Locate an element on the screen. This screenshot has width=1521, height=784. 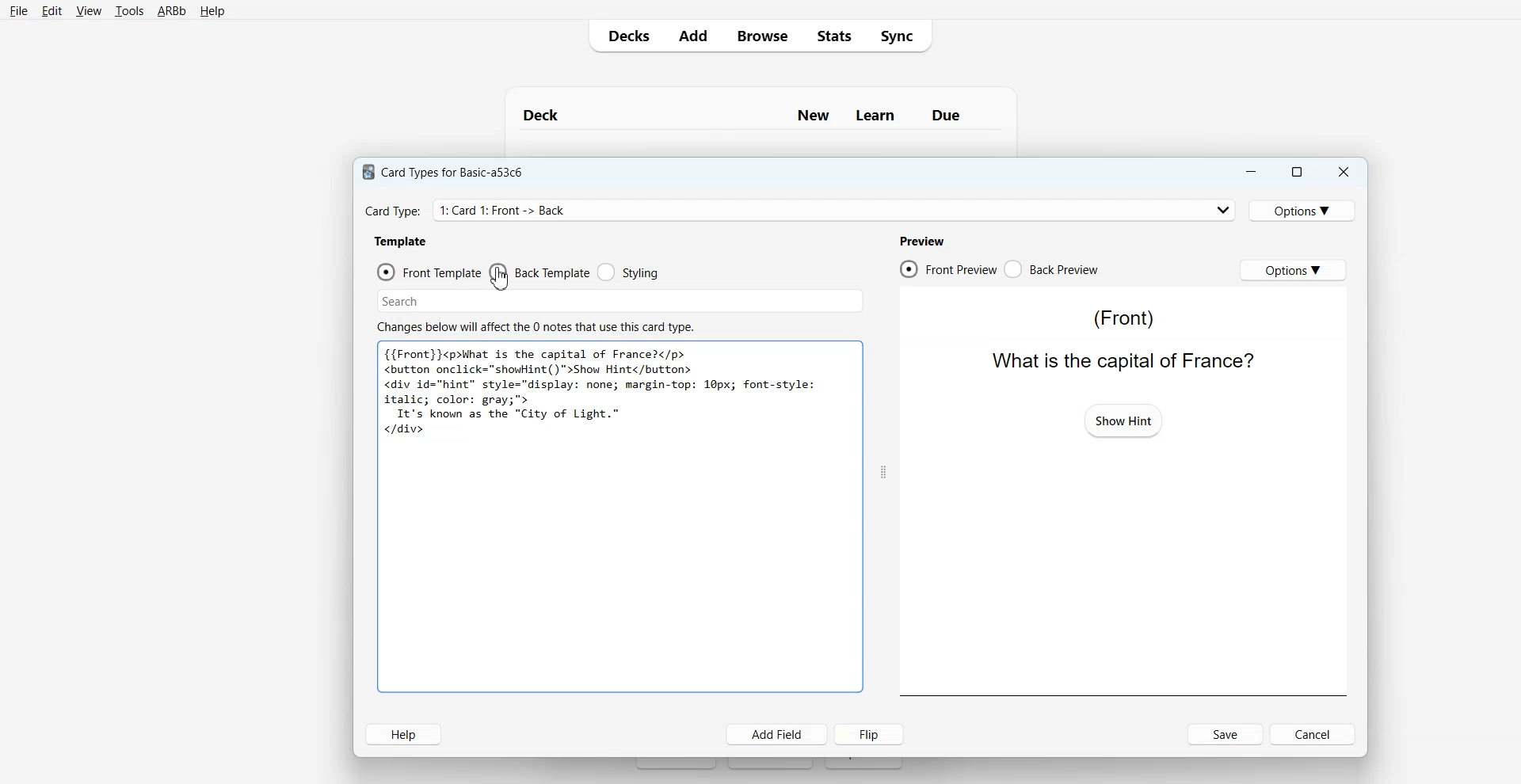
Back Template is located at coordinates (539, 272).